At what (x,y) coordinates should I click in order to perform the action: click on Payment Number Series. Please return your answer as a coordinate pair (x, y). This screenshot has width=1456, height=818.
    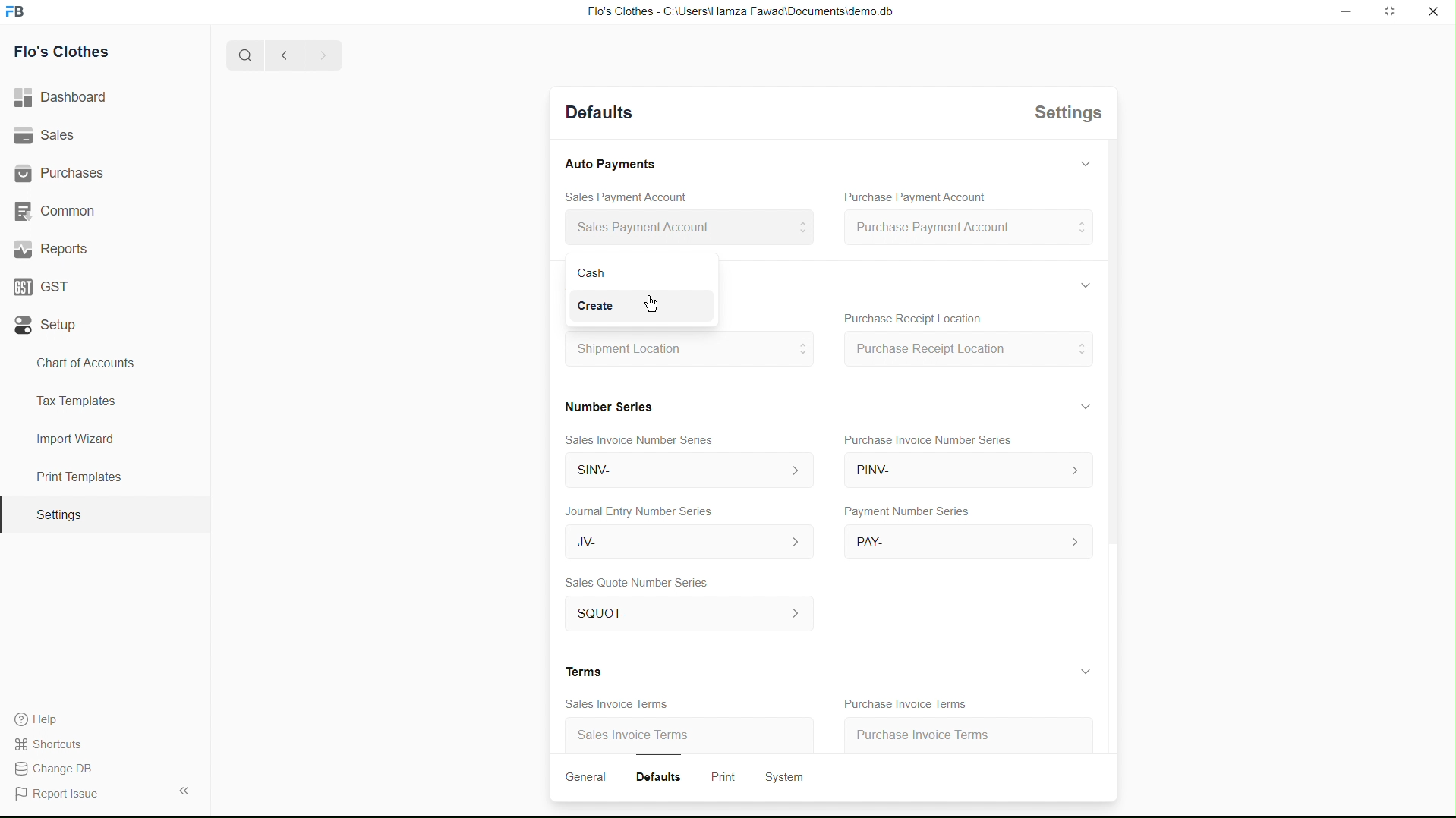
    Looking at the image, I should click on (905, 512).